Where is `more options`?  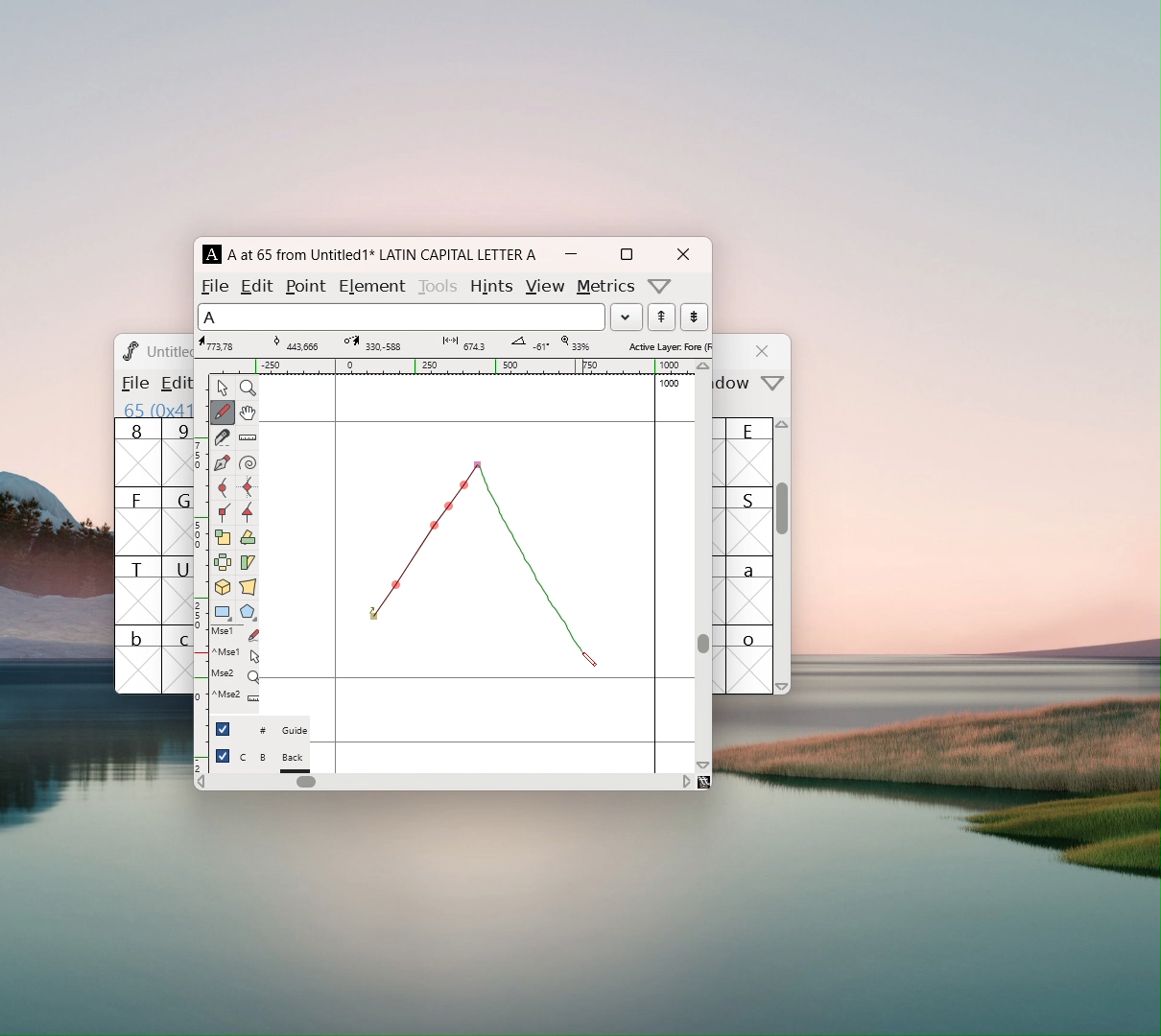 more options is located at coordinates (660, 286).